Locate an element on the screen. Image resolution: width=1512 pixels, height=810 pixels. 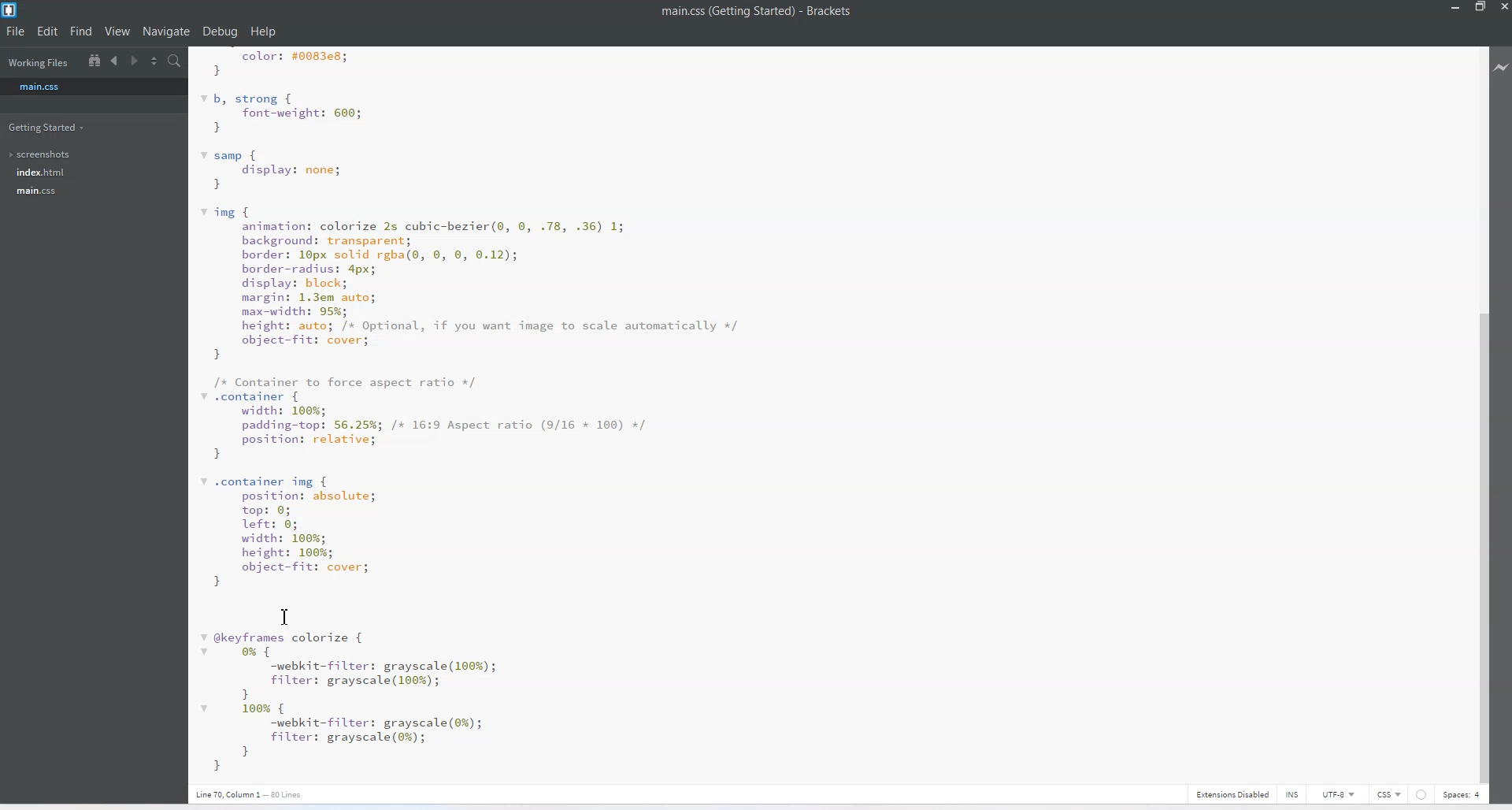
Navigate is located at coordinates (166, 32).